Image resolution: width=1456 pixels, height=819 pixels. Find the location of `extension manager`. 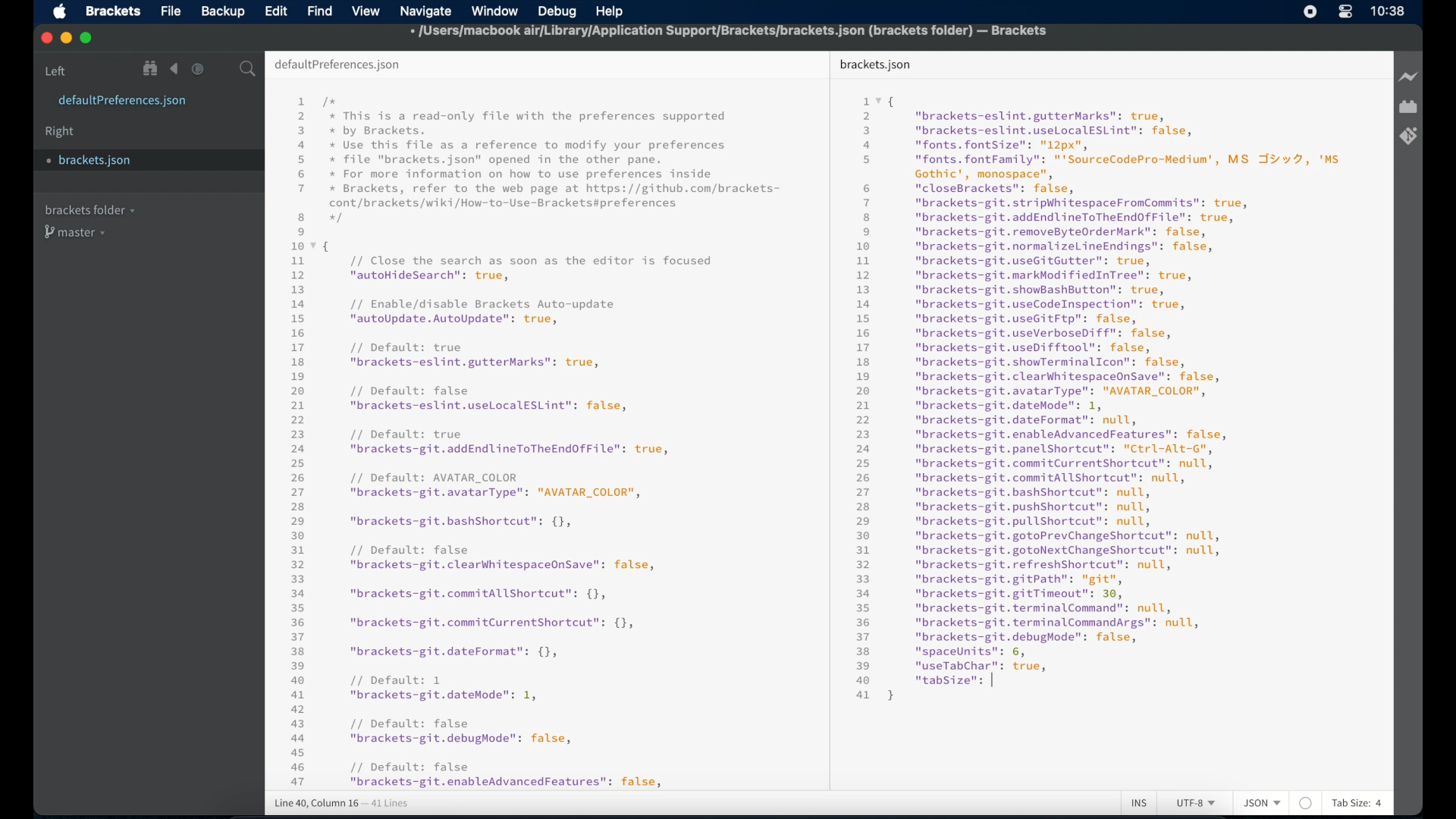

extension manager is located at coordinates (1408, 107).